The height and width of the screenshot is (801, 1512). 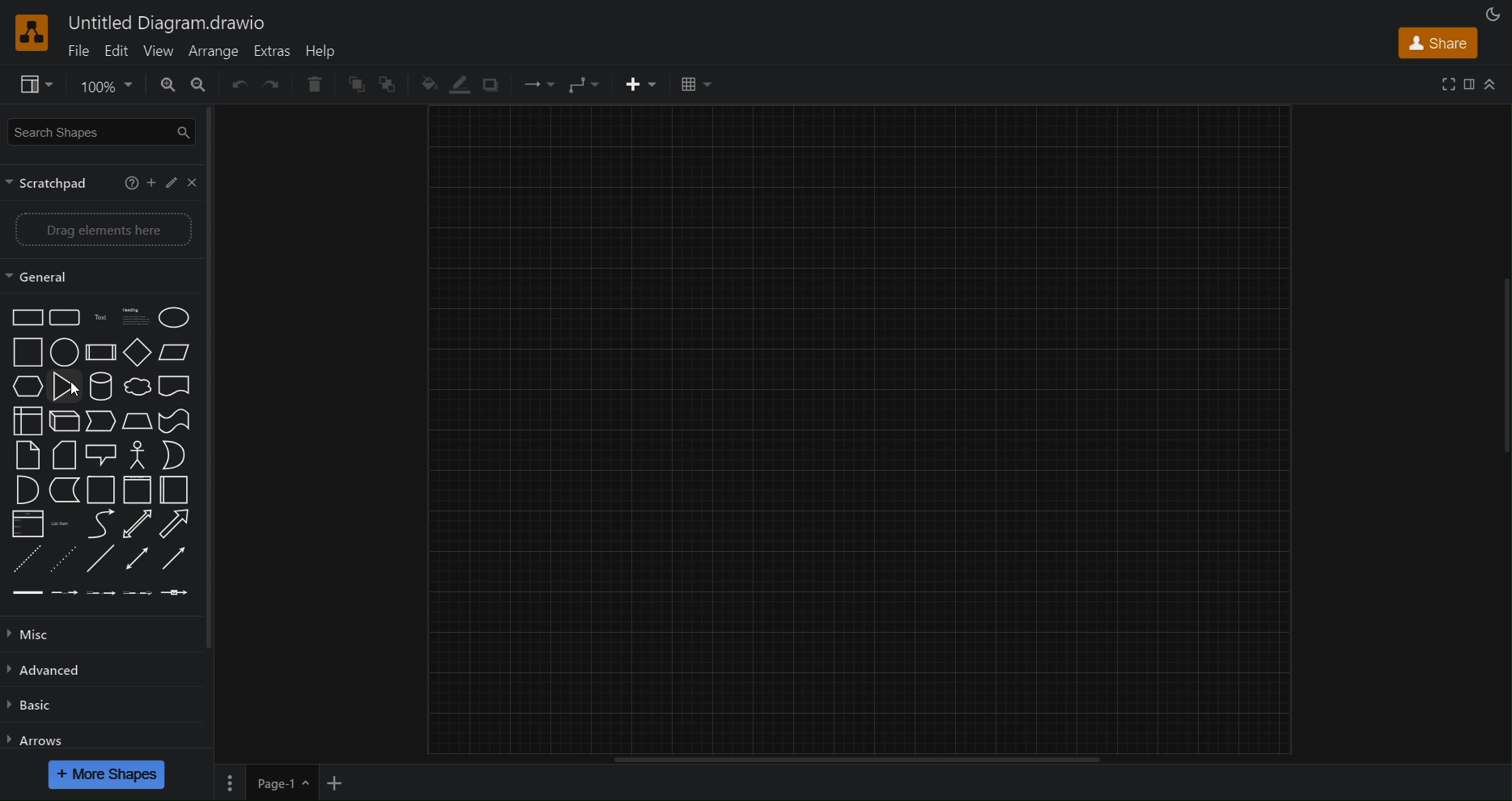 What do you see at coordinates (699, 82) in the screenshot?
I see `Table` at bounding box center [699, 82].